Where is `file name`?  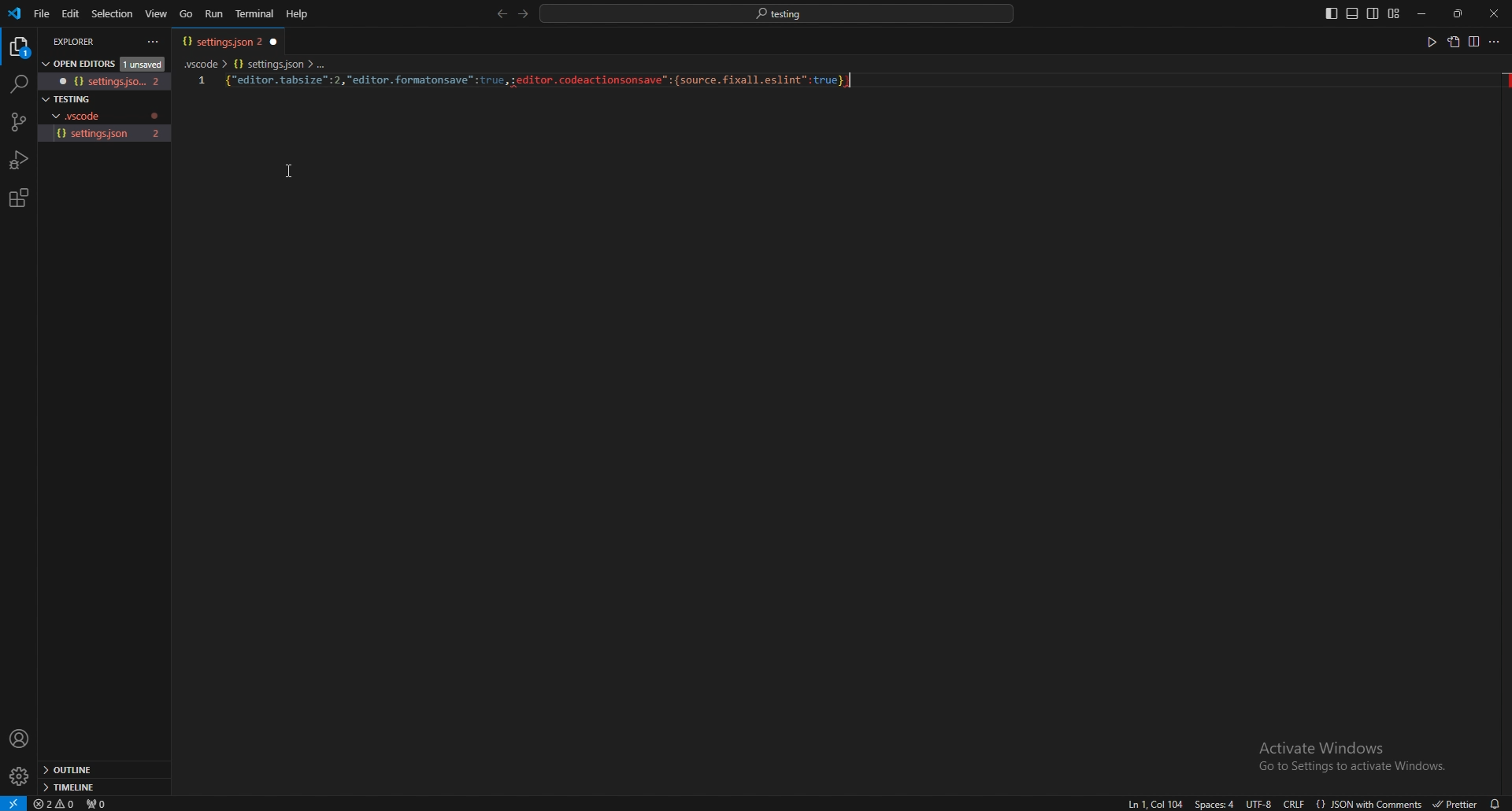
file name is located at coordinates (107, 133).